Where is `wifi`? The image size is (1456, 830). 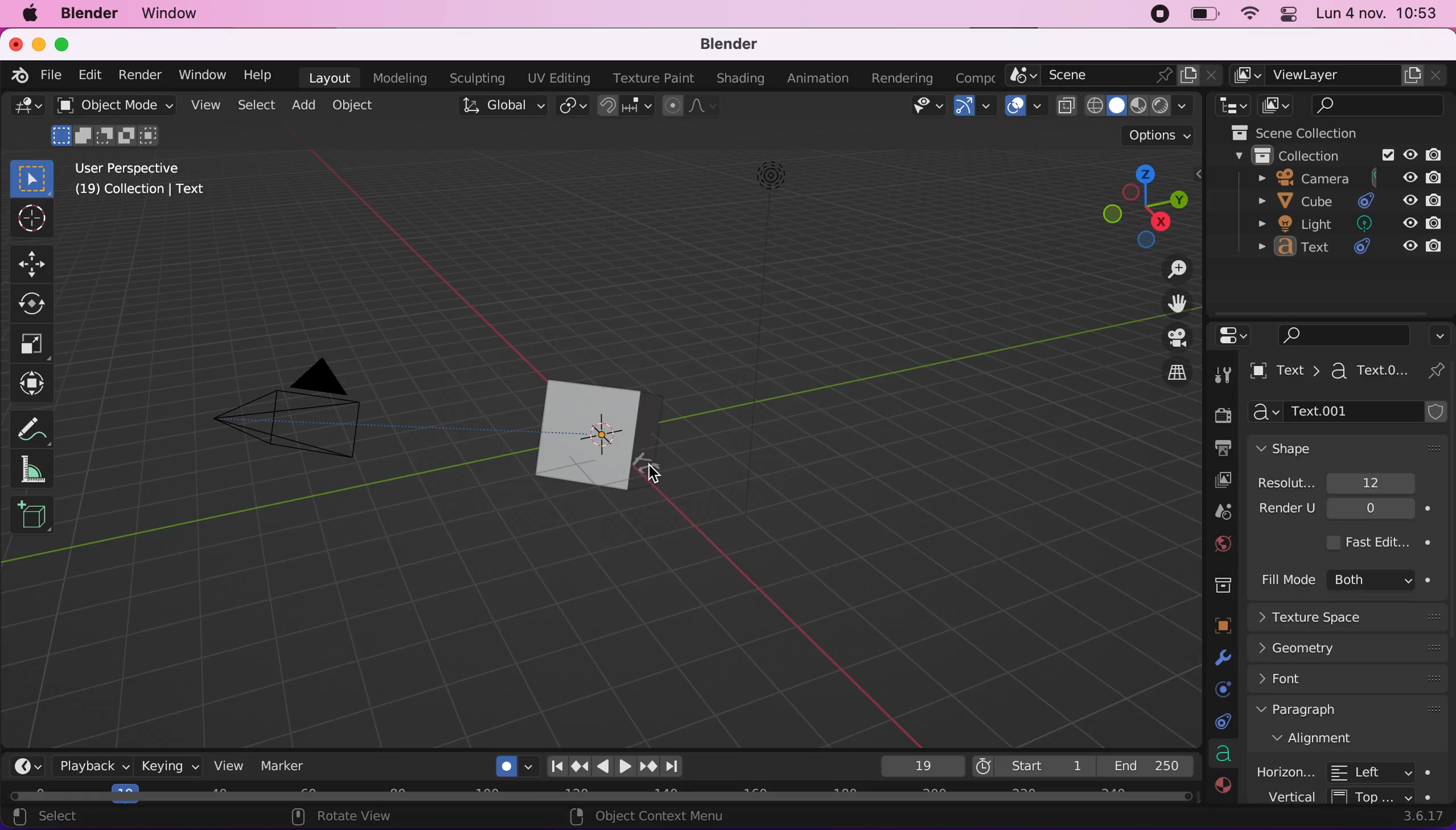
wifi is located at coordinates (1250, 15).